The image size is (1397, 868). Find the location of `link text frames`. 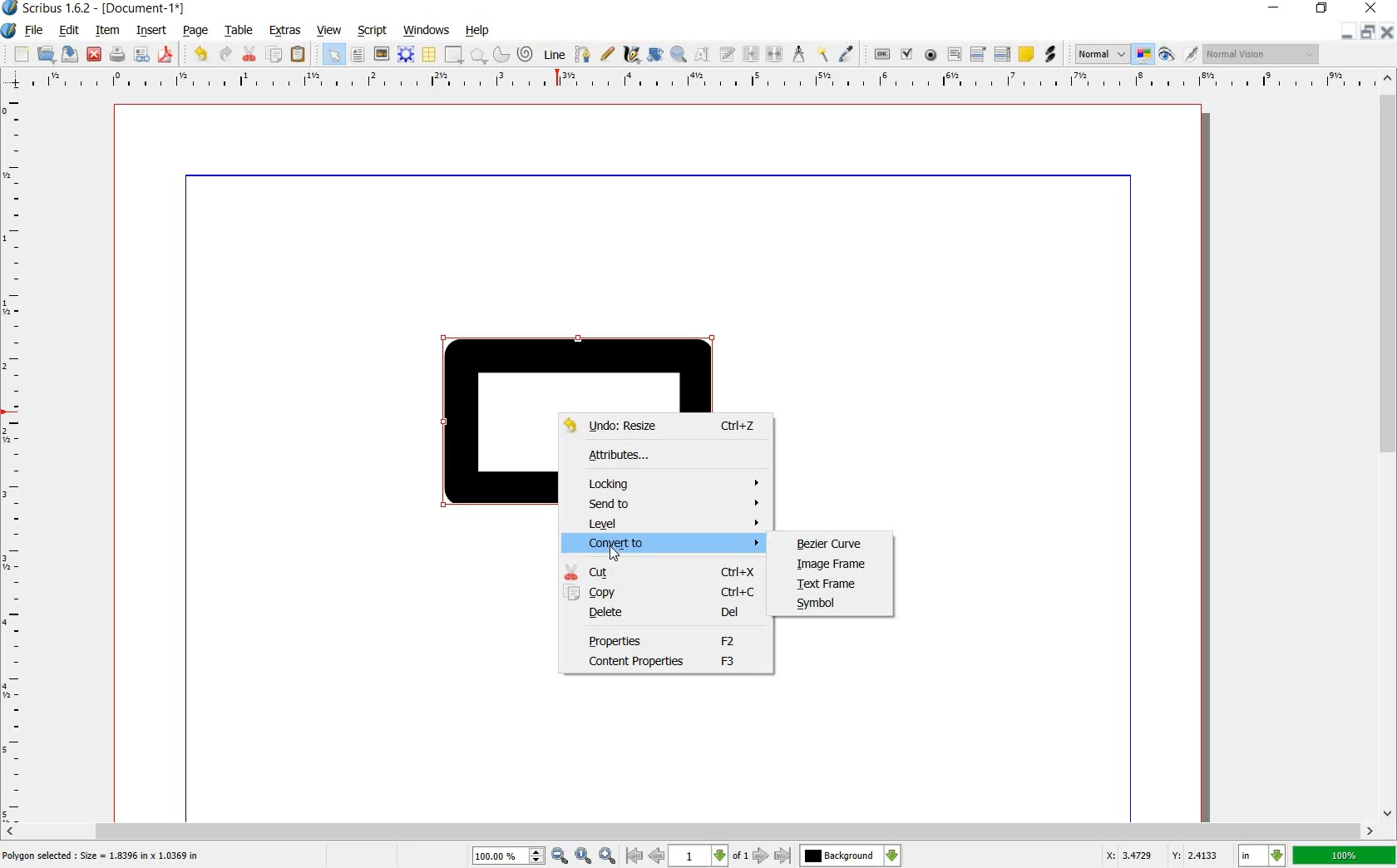

link text frames is located at coordinates (750, 53).